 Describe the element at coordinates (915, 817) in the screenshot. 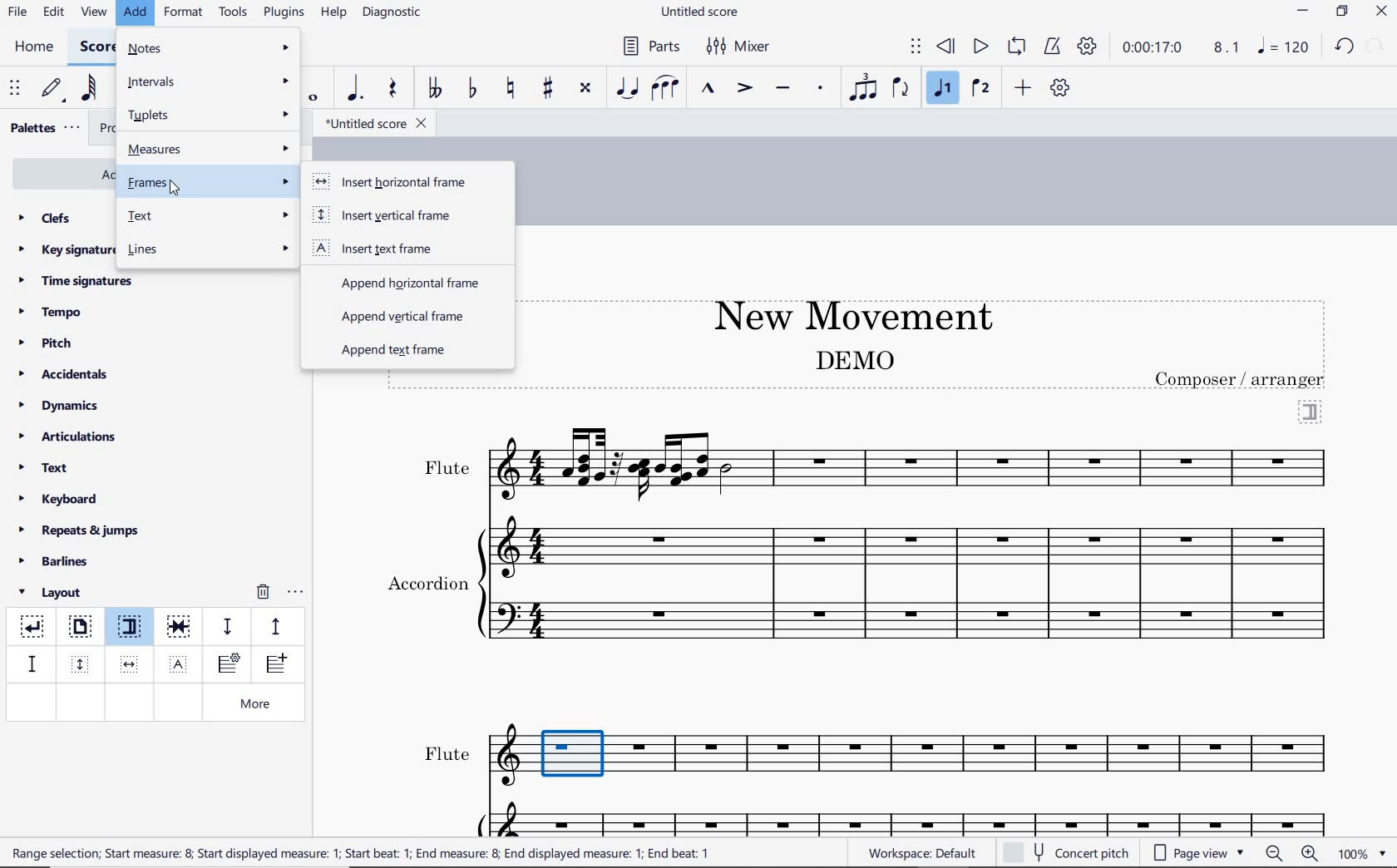

I see `Acc.` at that location.